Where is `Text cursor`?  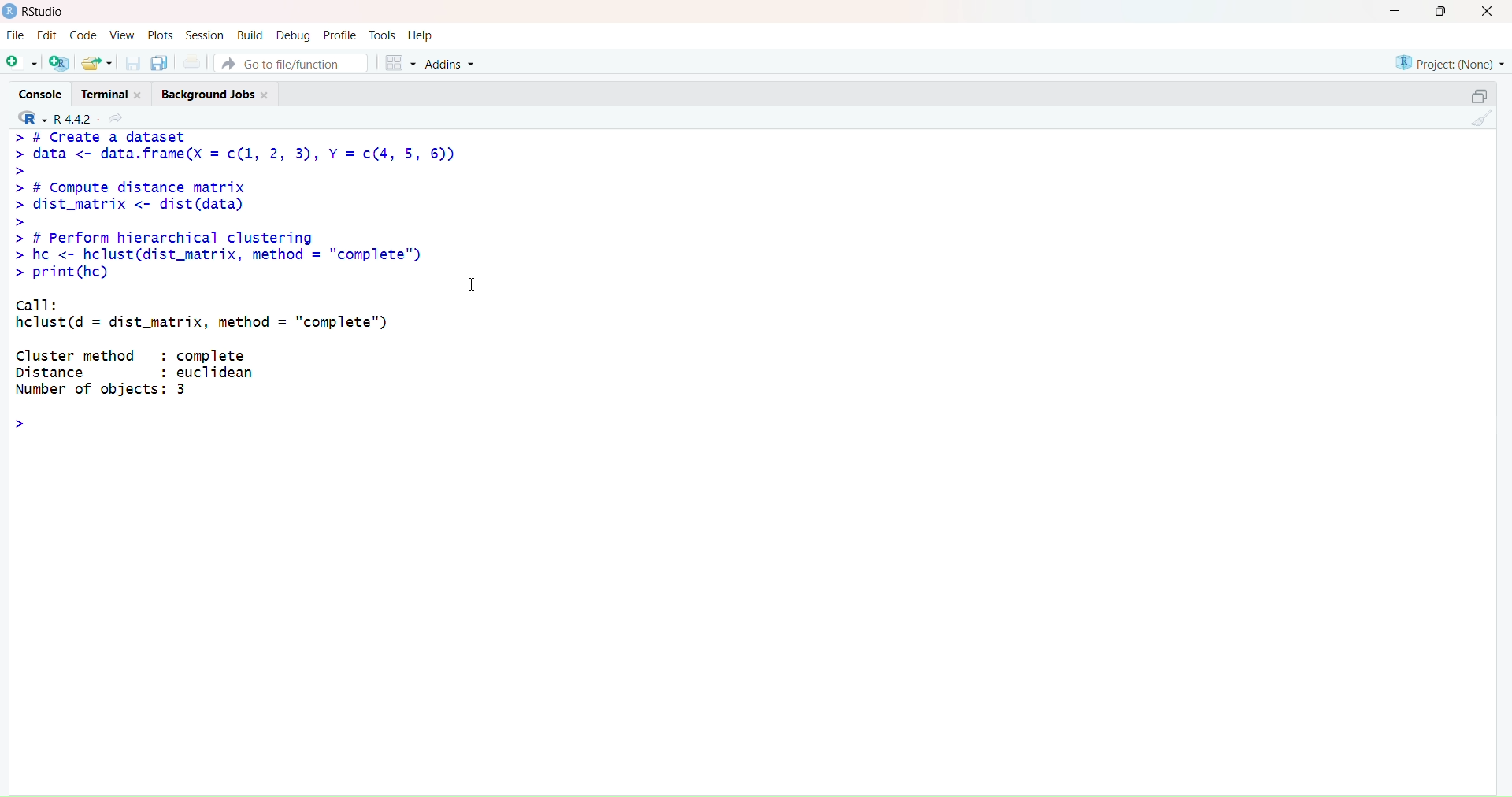
Text cursor is located at coordinates (470, 284).